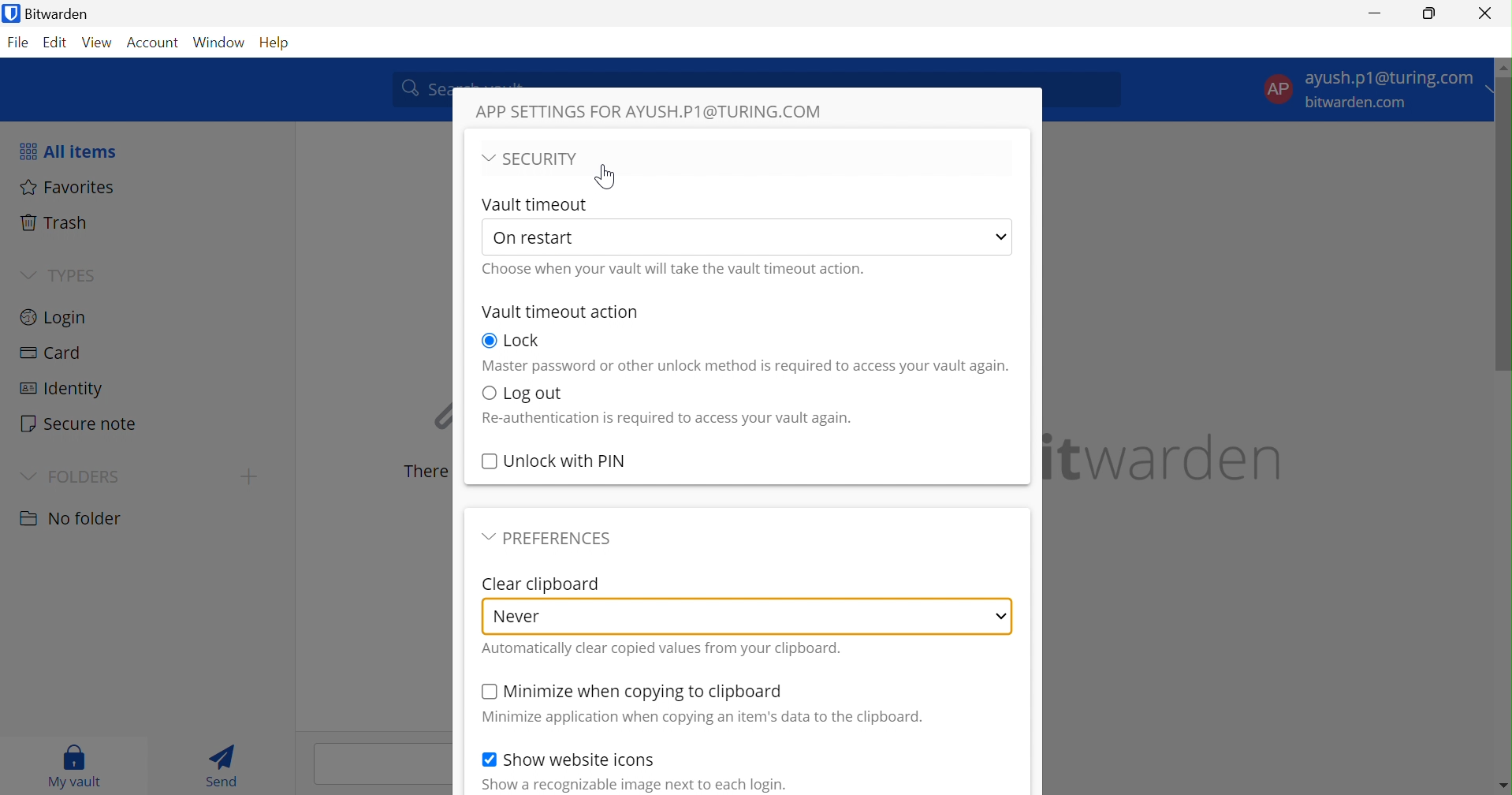  Describe the element at coordinates (648, 110) in the screenshot. I see `APP SETTINGS FOR AYUSH.P1@TURING.COM` at that location.